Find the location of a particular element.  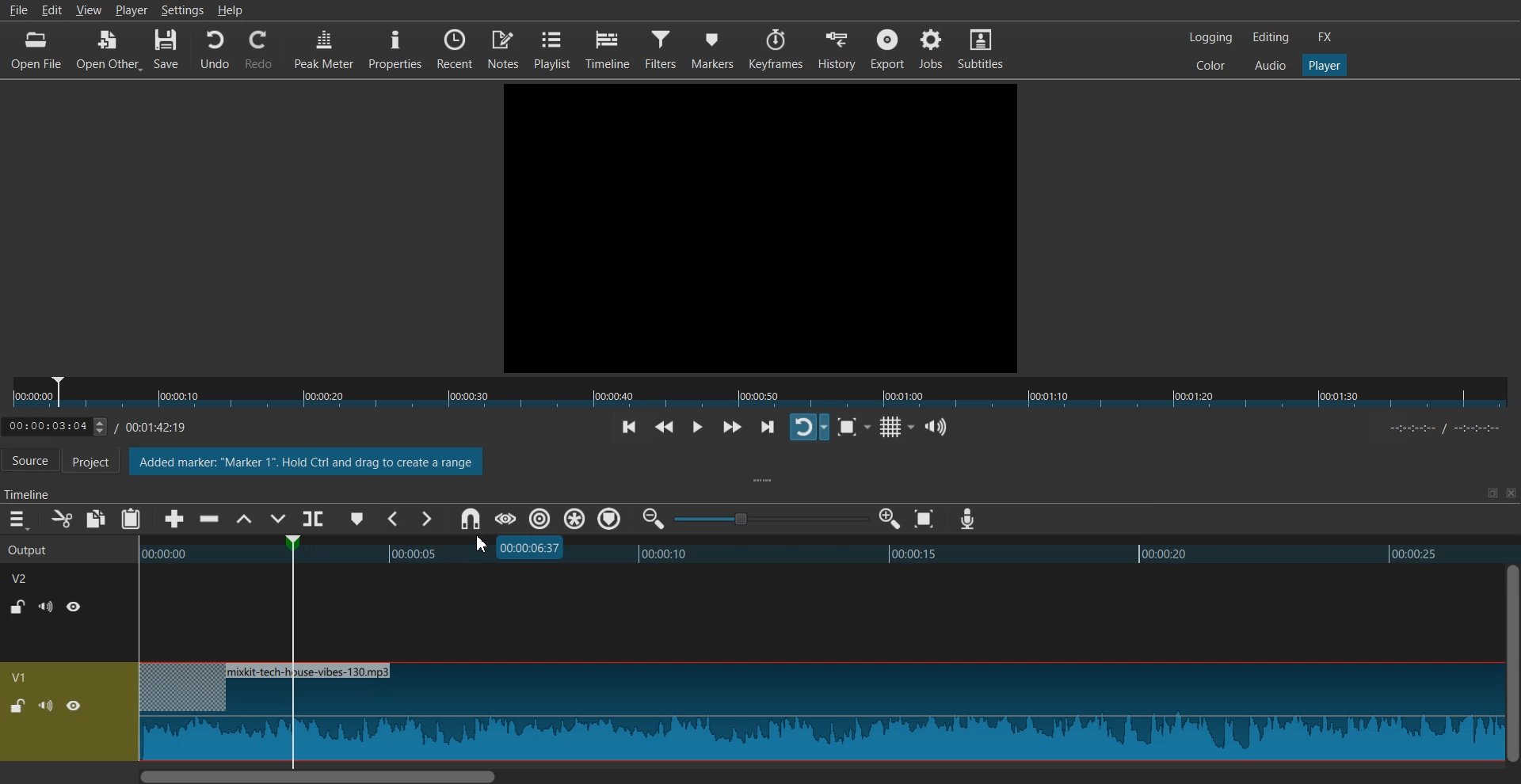

Audio waveform is located at coordinates (819, 713).